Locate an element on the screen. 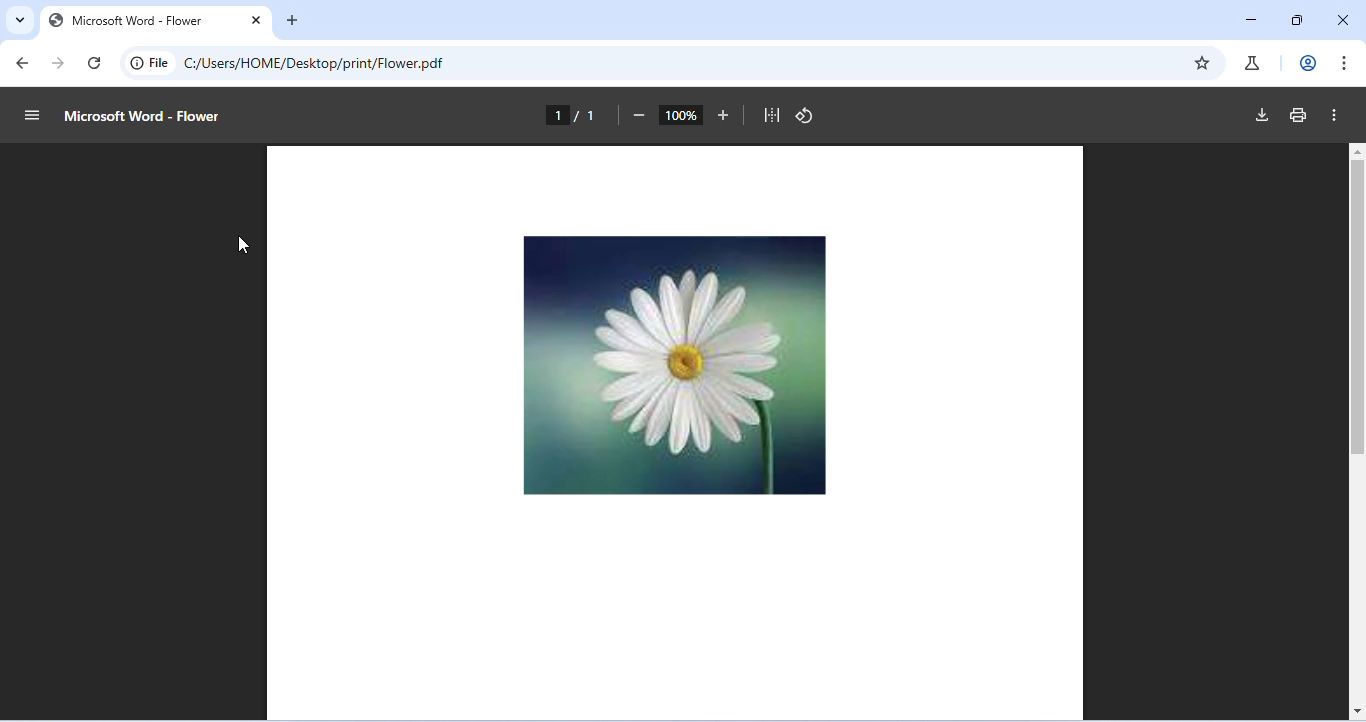 The height and width of the screenshot is (722, 1366). close is located at coordinates (252, 21).